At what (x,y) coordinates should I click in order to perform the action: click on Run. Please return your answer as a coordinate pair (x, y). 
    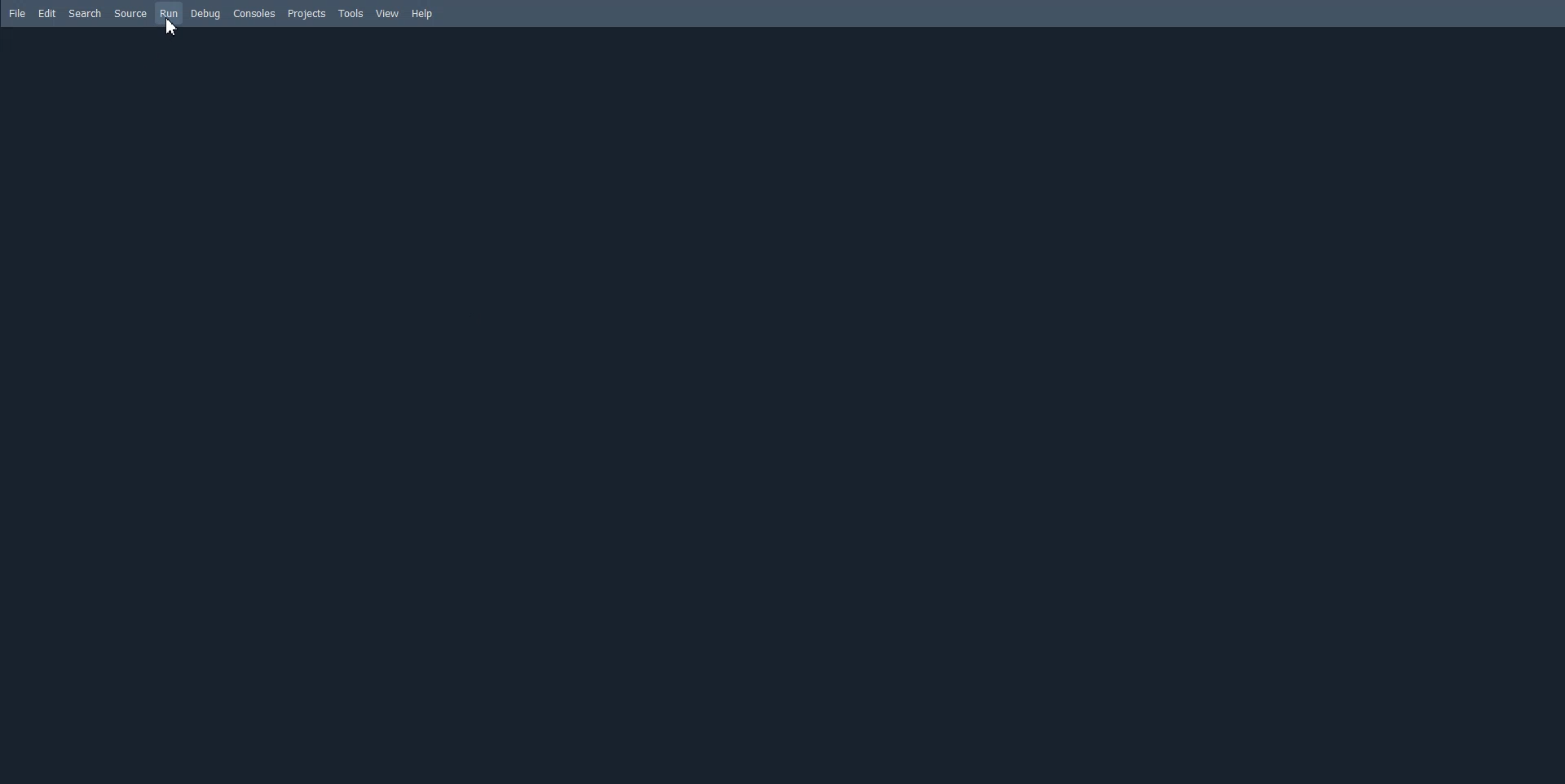
    Looking at the image, I should click on (169, 14).